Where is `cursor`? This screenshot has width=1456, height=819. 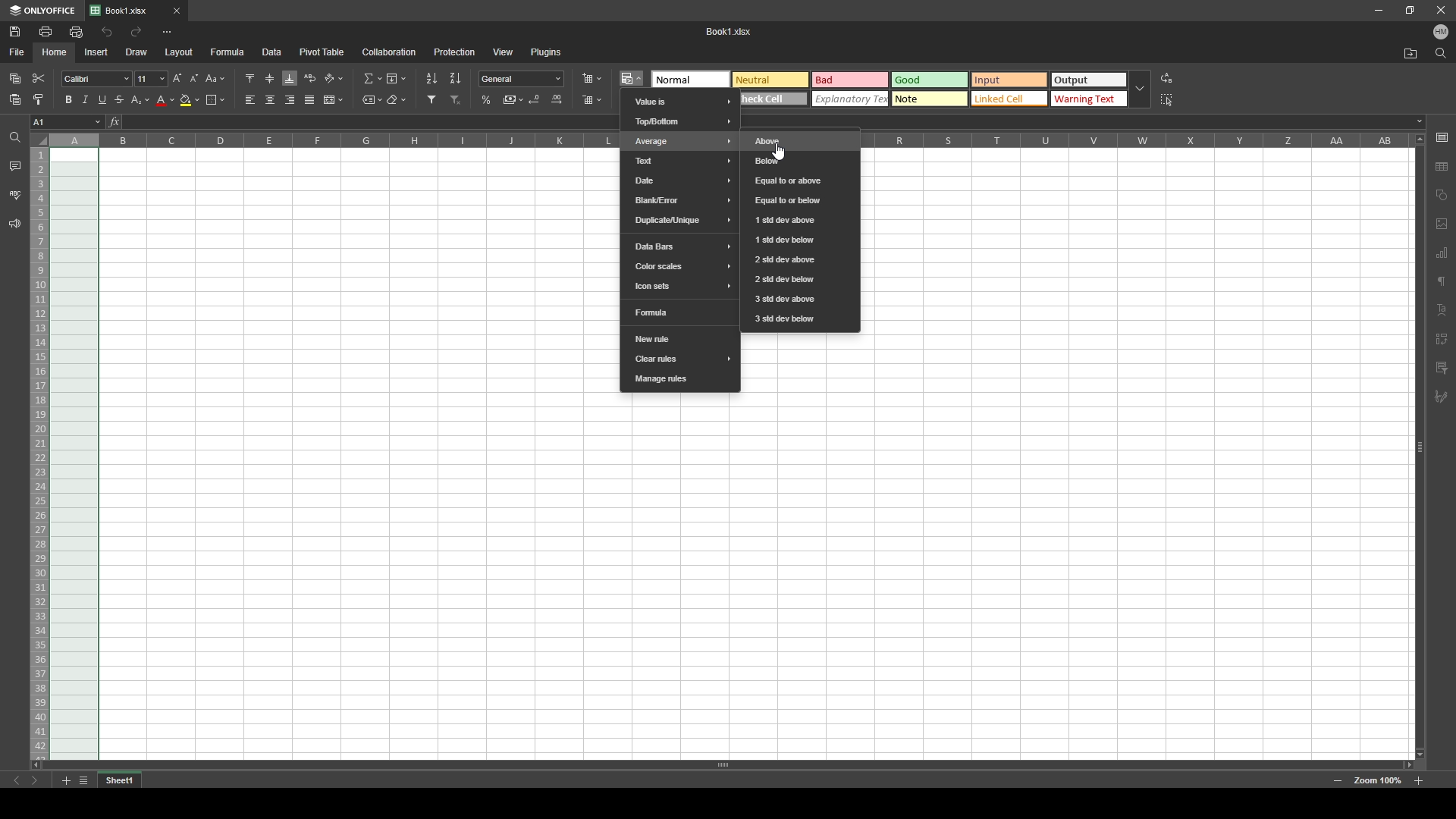 cursor is located at coordinates (780, 152).